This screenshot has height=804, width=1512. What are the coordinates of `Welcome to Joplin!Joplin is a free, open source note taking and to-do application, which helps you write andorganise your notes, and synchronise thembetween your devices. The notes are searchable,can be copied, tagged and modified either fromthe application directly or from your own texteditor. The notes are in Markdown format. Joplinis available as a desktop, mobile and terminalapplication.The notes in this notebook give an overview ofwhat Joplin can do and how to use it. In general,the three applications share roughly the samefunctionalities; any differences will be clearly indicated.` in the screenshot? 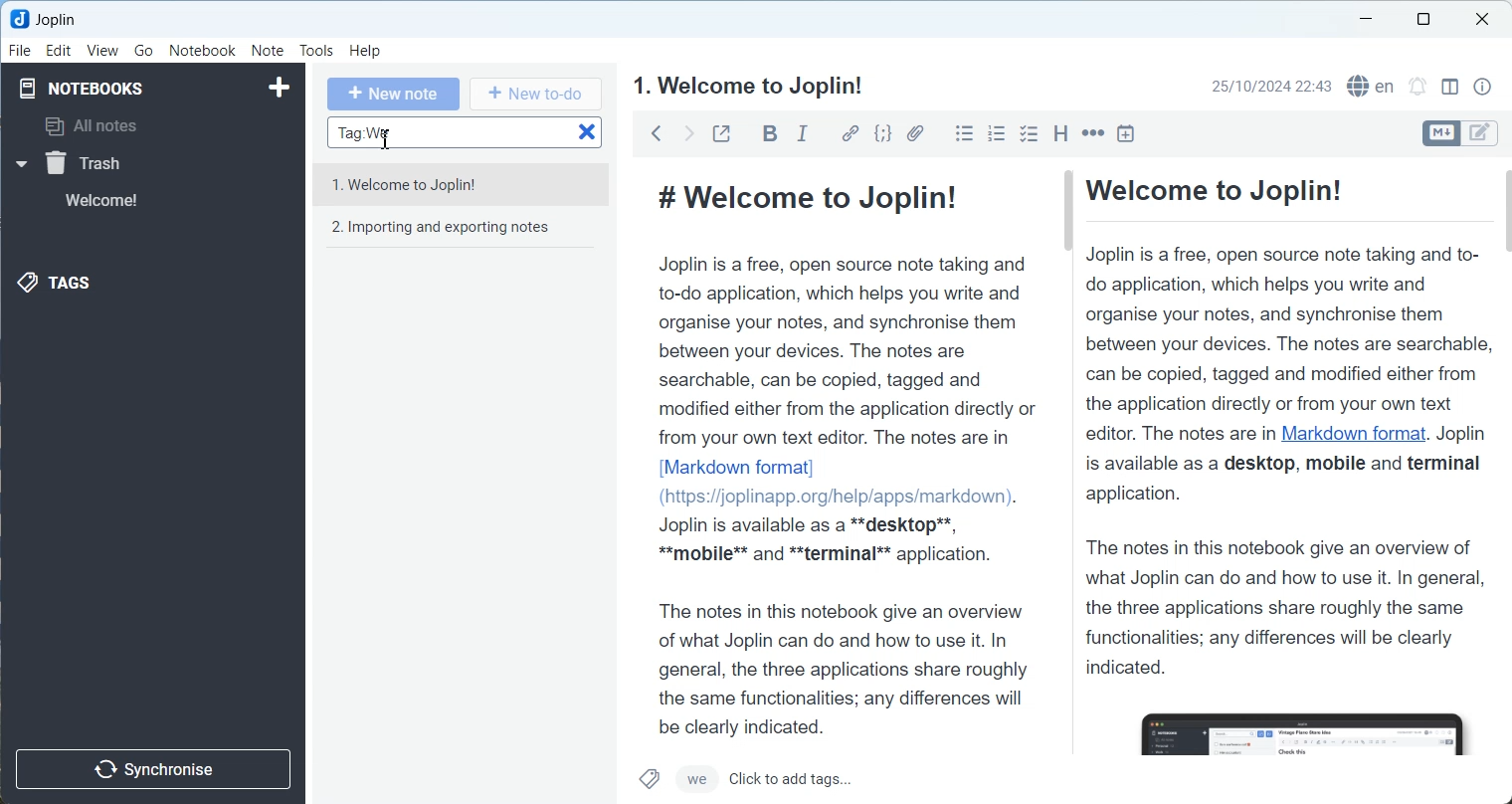 It's located at (1286, 462).